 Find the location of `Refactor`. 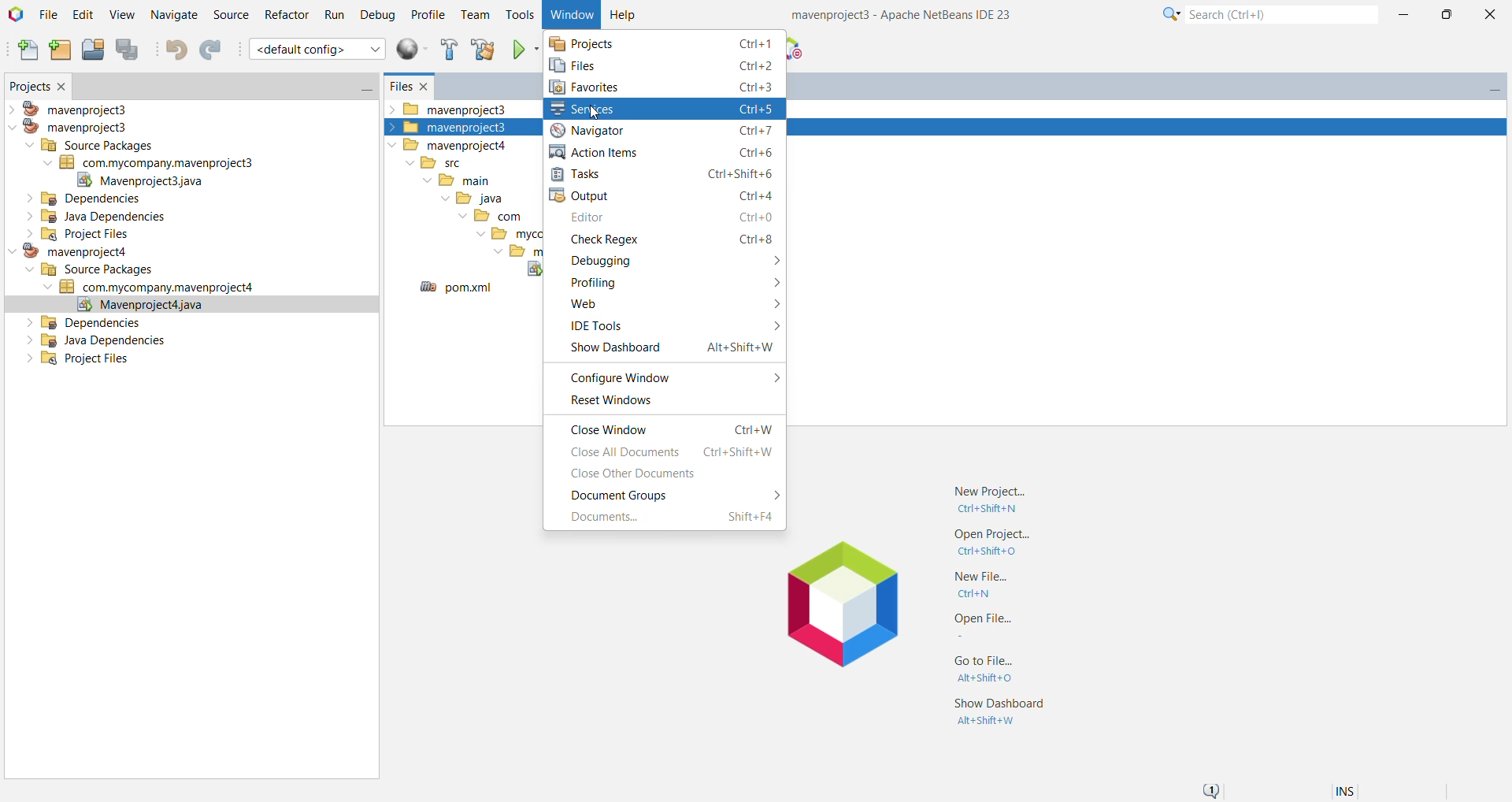

Refactor is located at coordinates (284, 16).